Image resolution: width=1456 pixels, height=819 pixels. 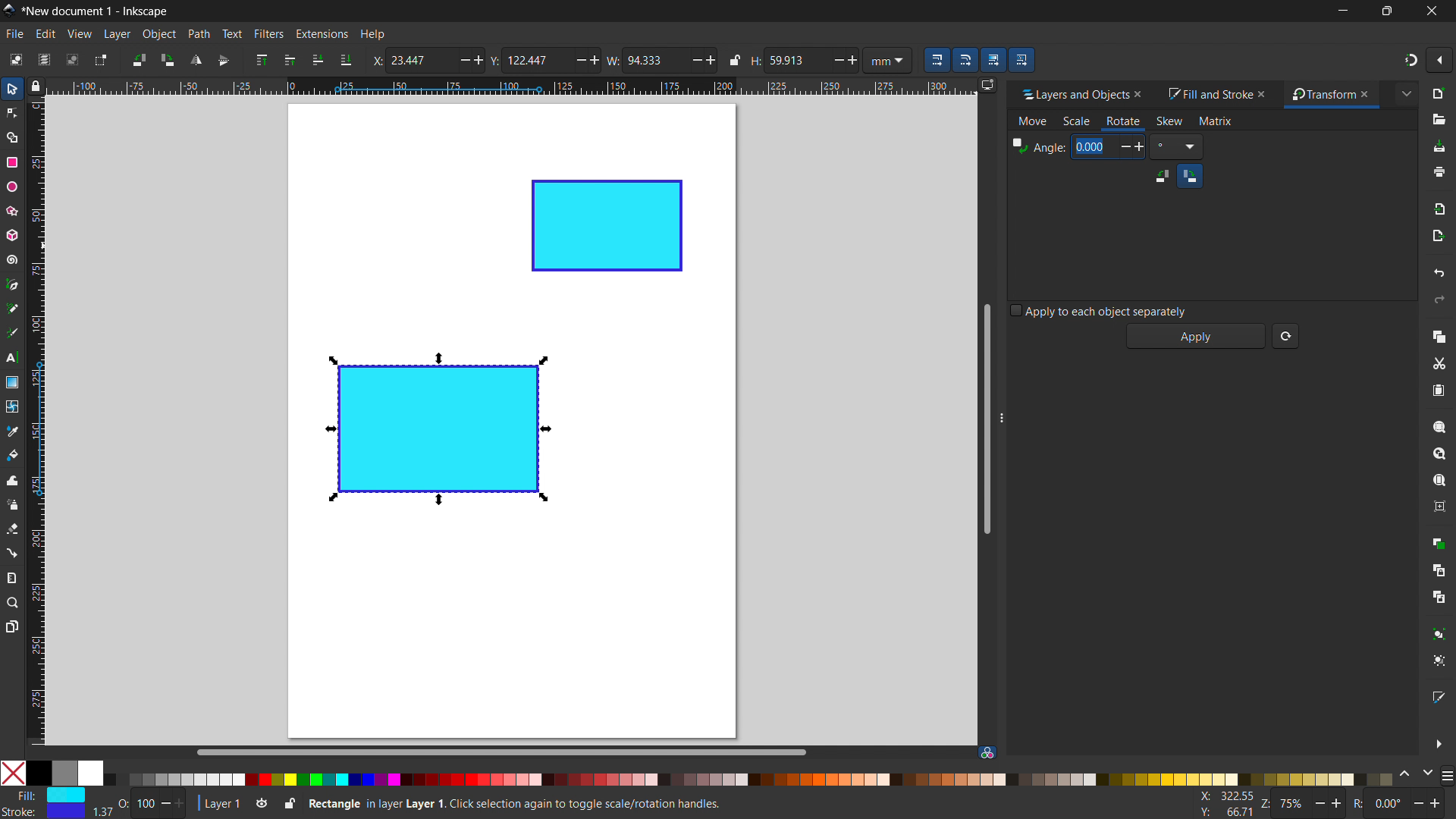 What do you see at coordinates (224, 61) in the screenshot?
I see `flip vertically` at bounding box center [224, 61].